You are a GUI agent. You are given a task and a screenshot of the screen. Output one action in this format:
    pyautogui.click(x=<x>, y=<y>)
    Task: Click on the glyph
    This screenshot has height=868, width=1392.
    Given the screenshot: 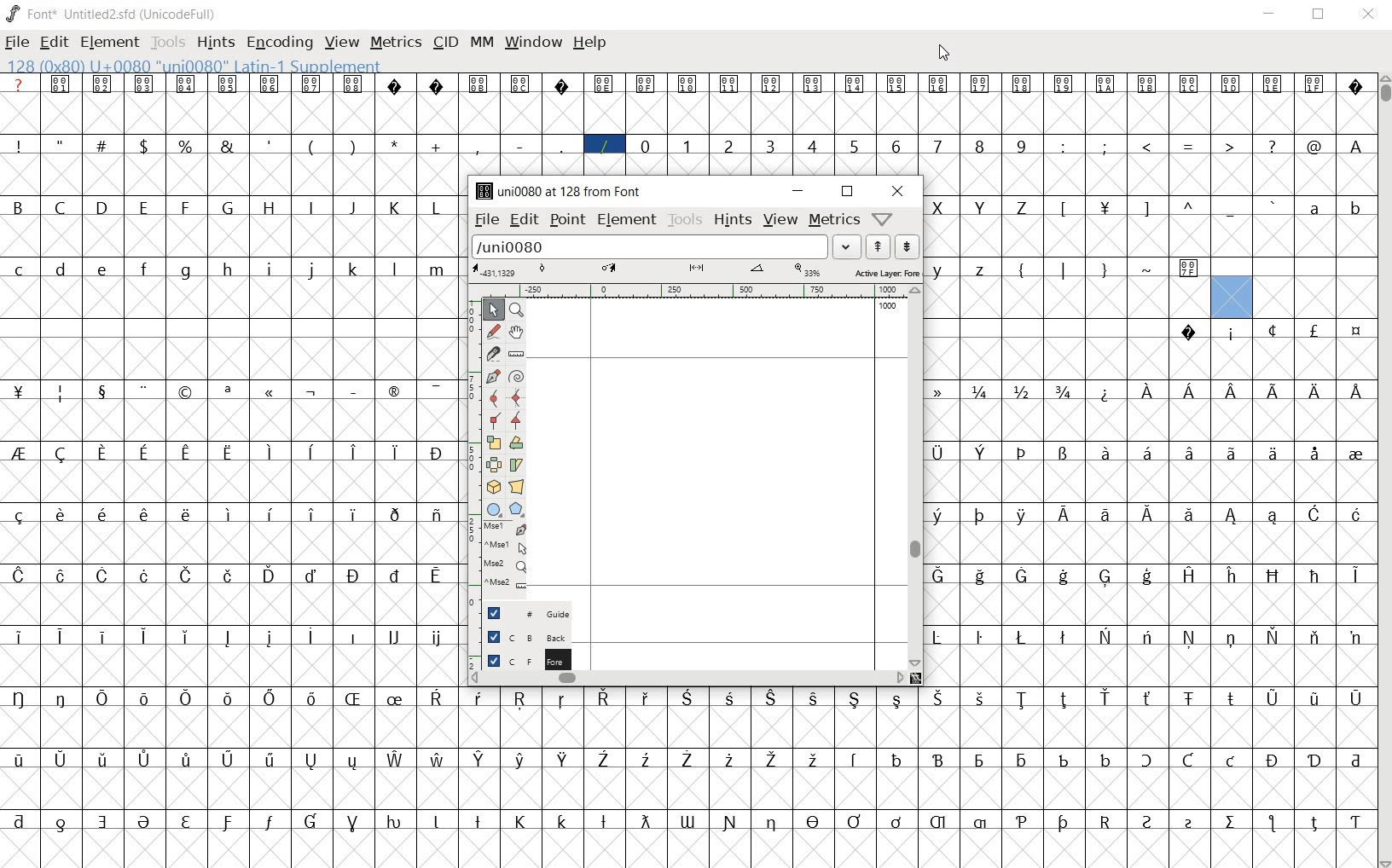 What is the action you would take?
    pyautogui.click(x=1147, y=822)
    